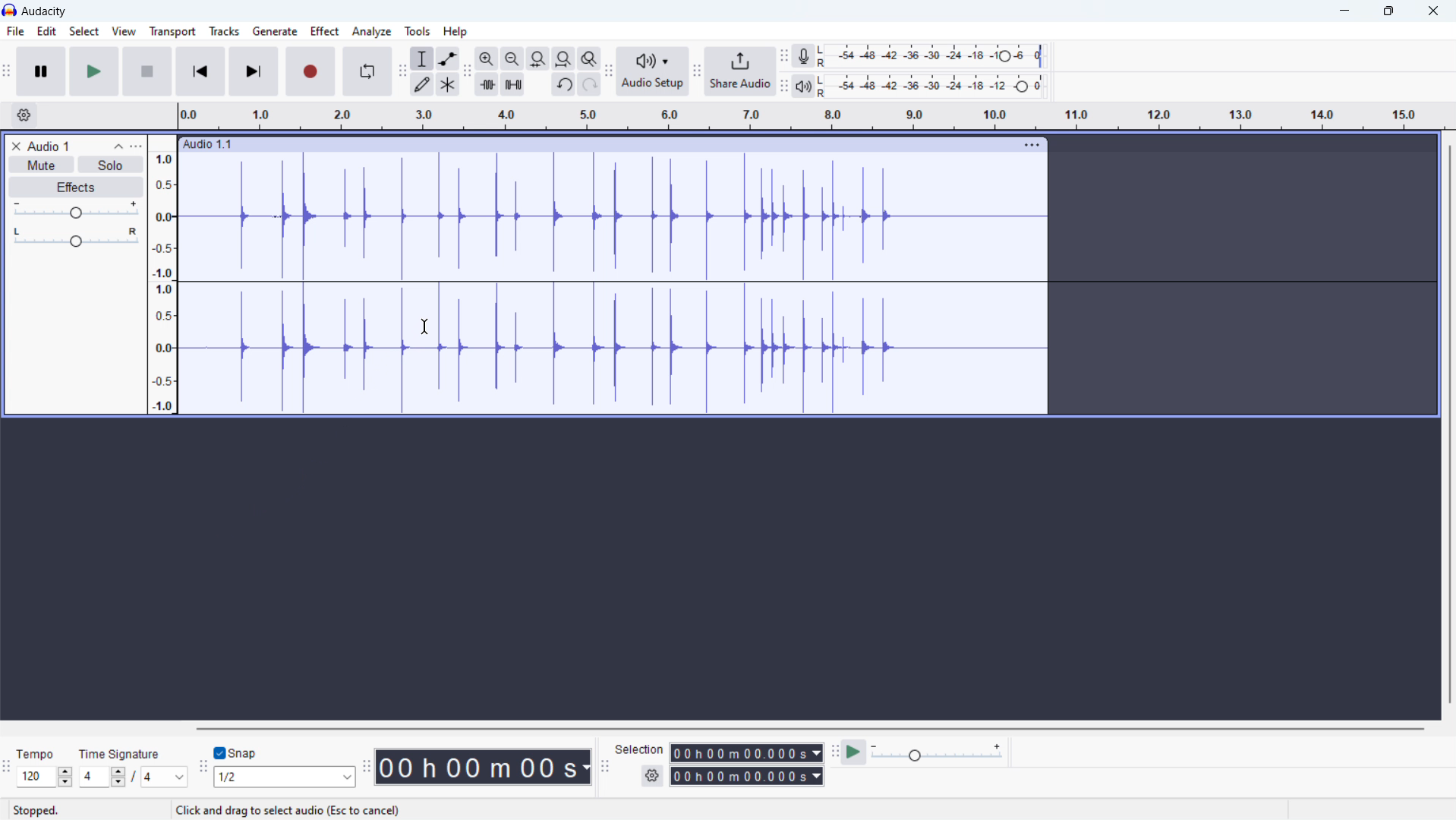 The height and width of the screenshot is (820, 1456). Describe the element at coordinates (748, 776) in the screenshot. I see `00h00m00.000s (end time)` at that location.